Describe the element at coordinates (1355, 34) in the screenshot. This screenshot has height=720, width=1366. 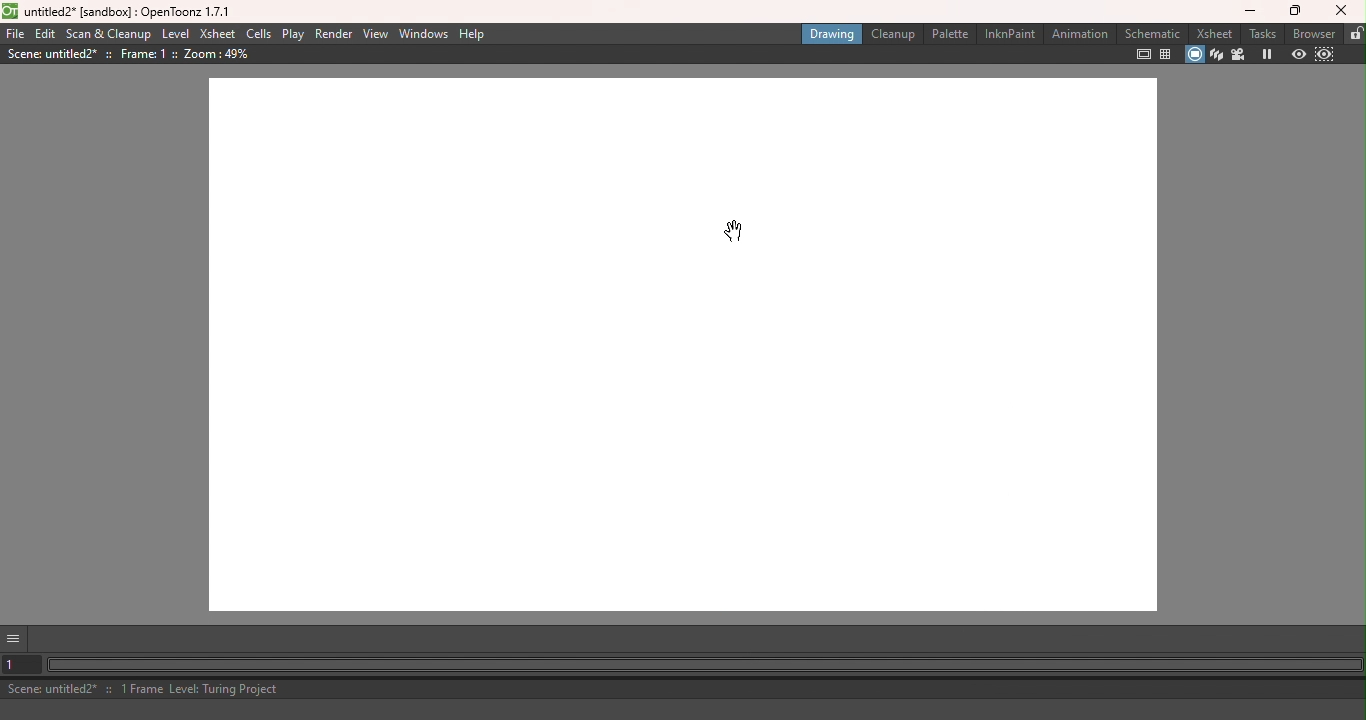
I see `Lock rooms tab` at that location.